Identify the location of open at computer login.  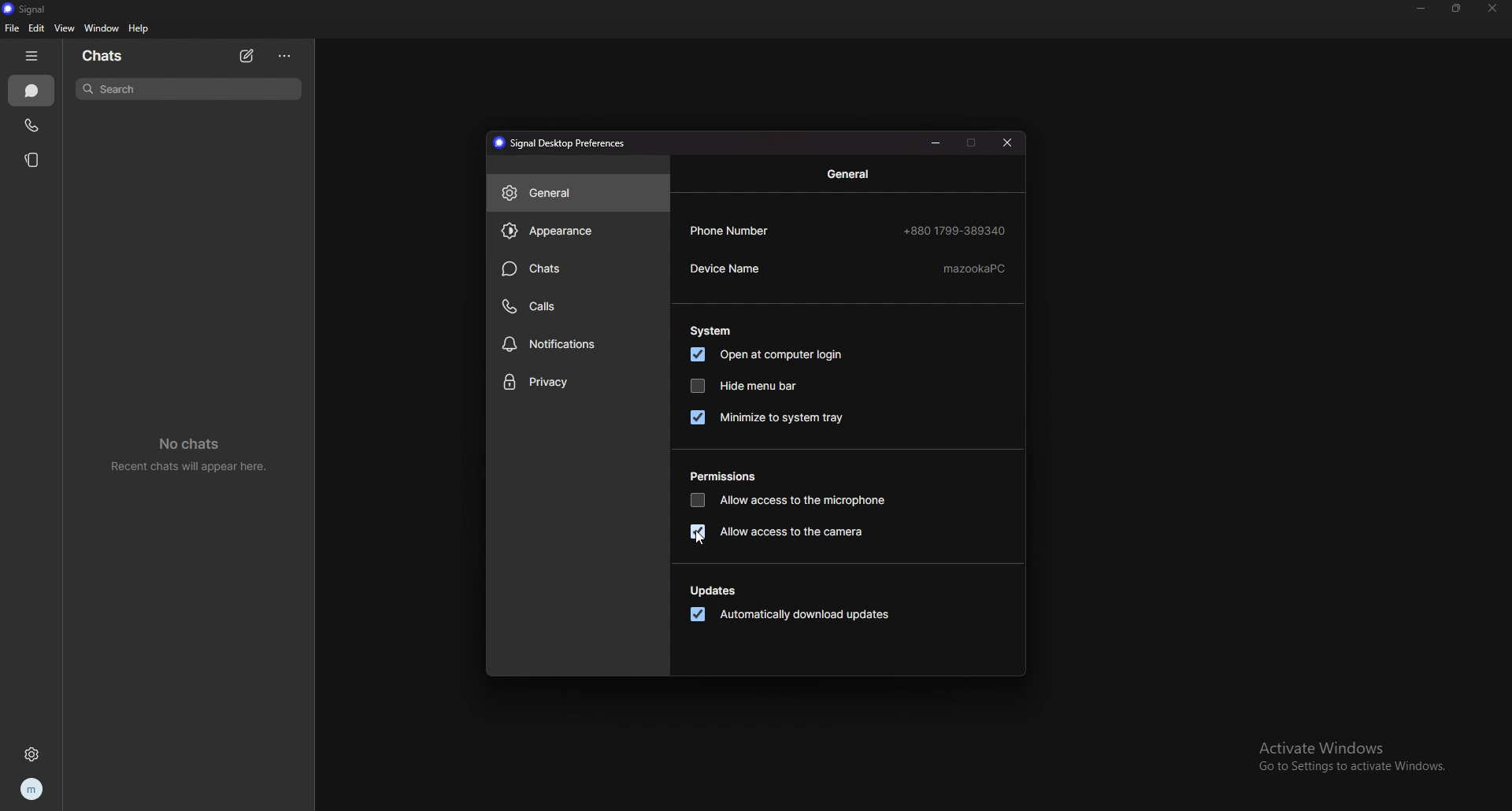
(769, 354).